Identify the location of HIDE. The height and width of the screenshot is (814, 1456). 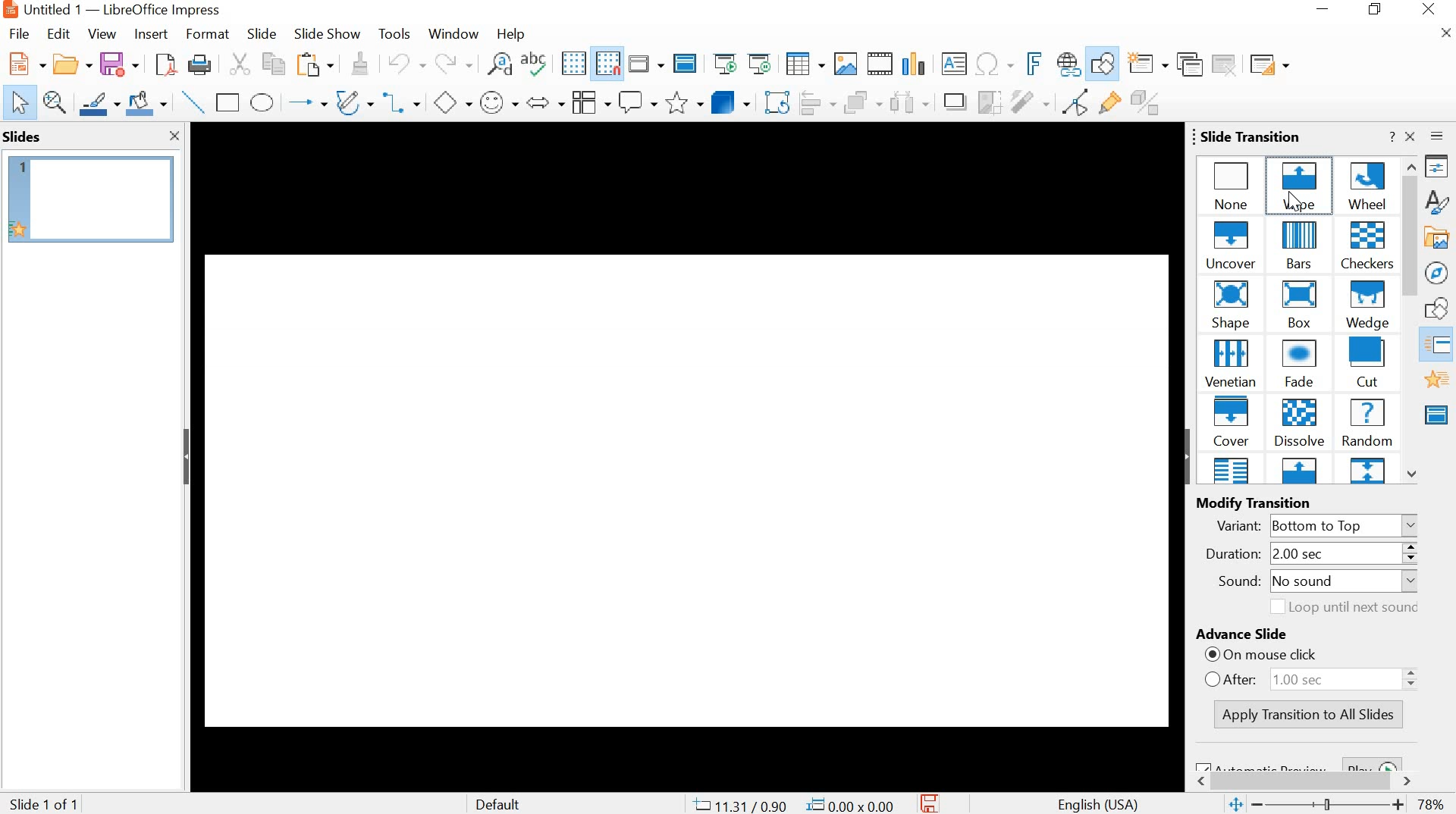
(187, 459).